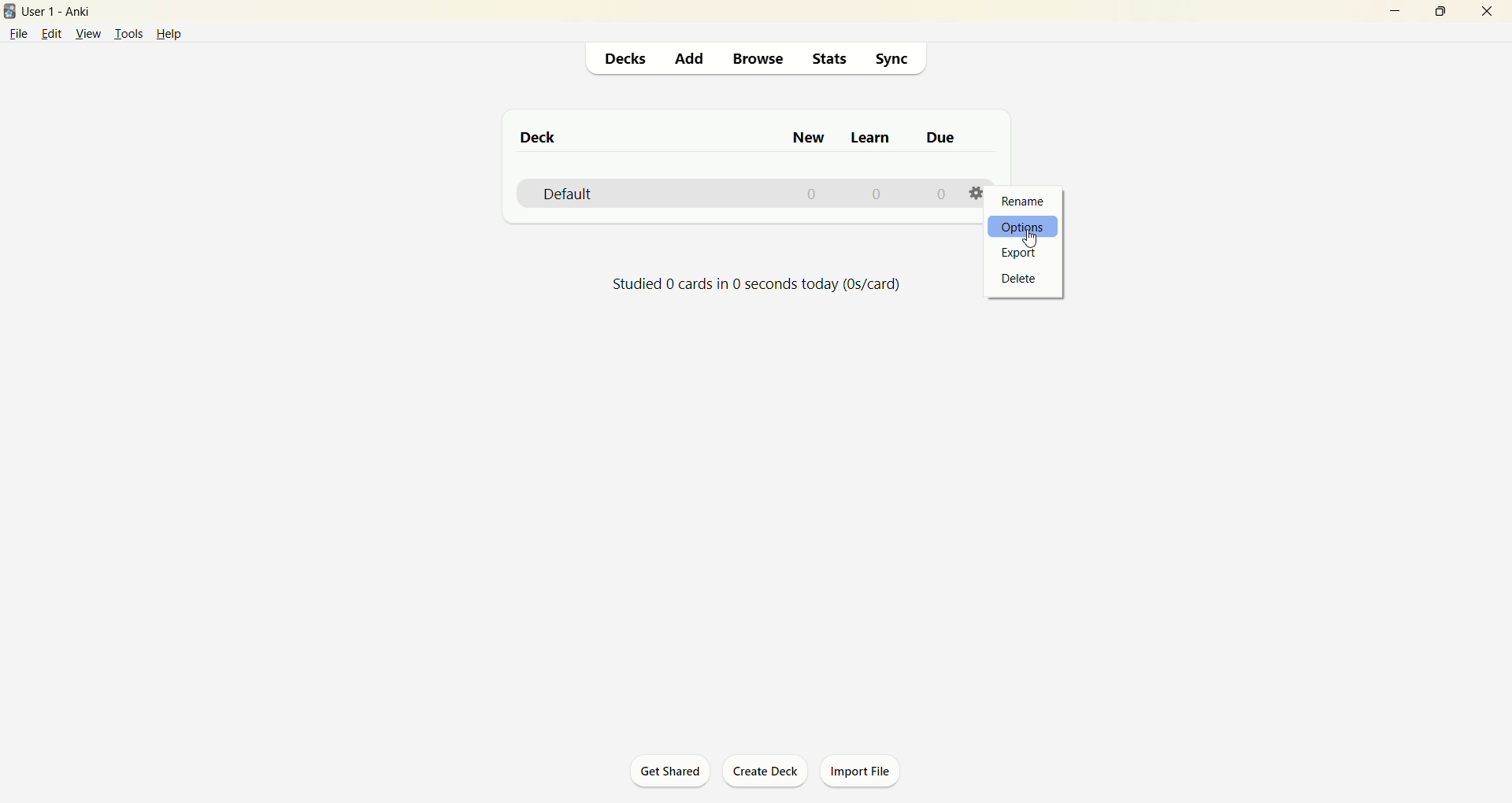 Image resolution: width=1512 pixels, height=803 pixels. Describe the element at coordinates (939, 194) in the screenshot. I see `0` at that location.